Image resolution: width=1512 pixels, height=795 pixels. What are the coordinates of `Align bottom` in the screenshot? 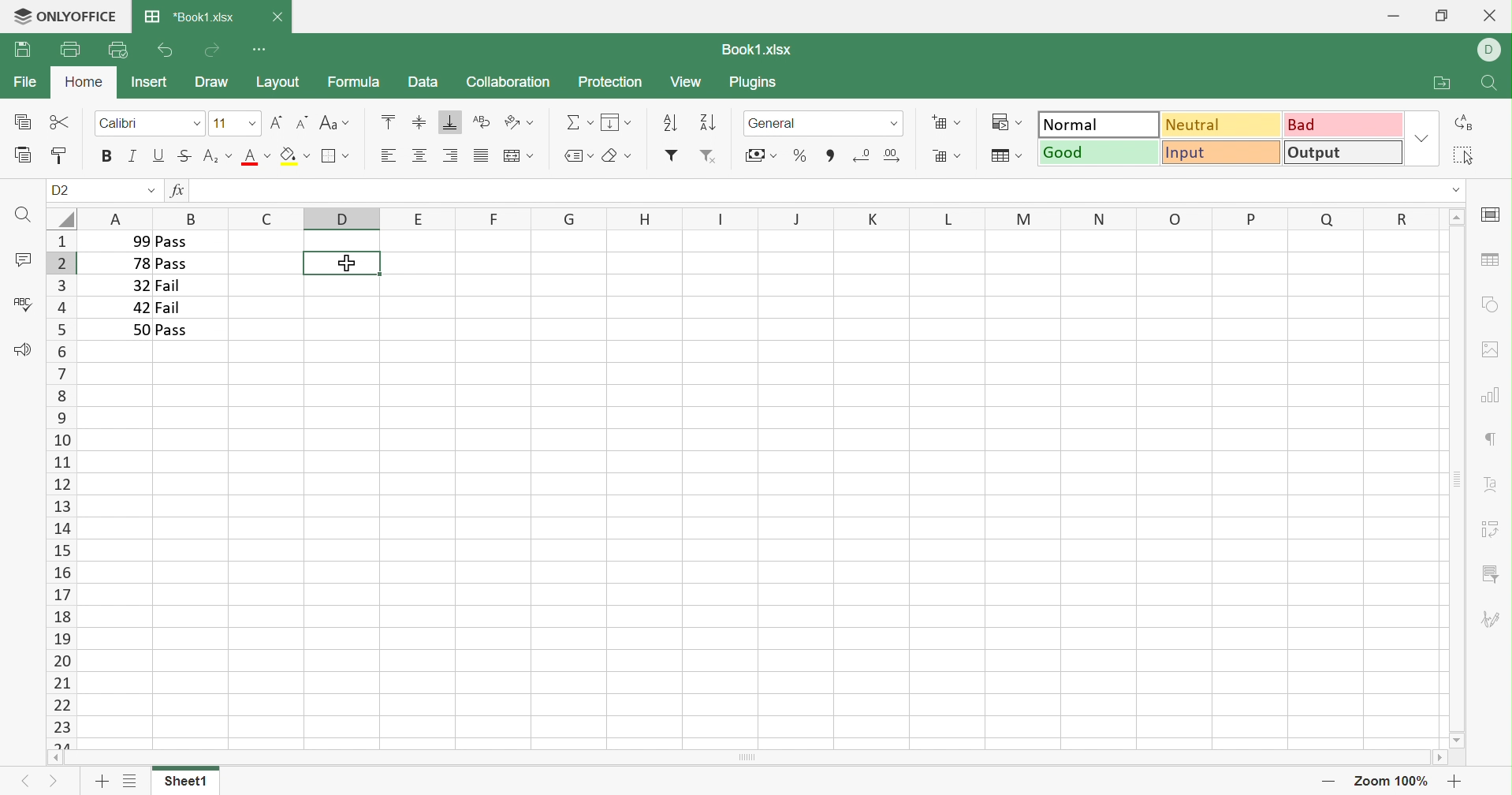 It's located at (450, 123).